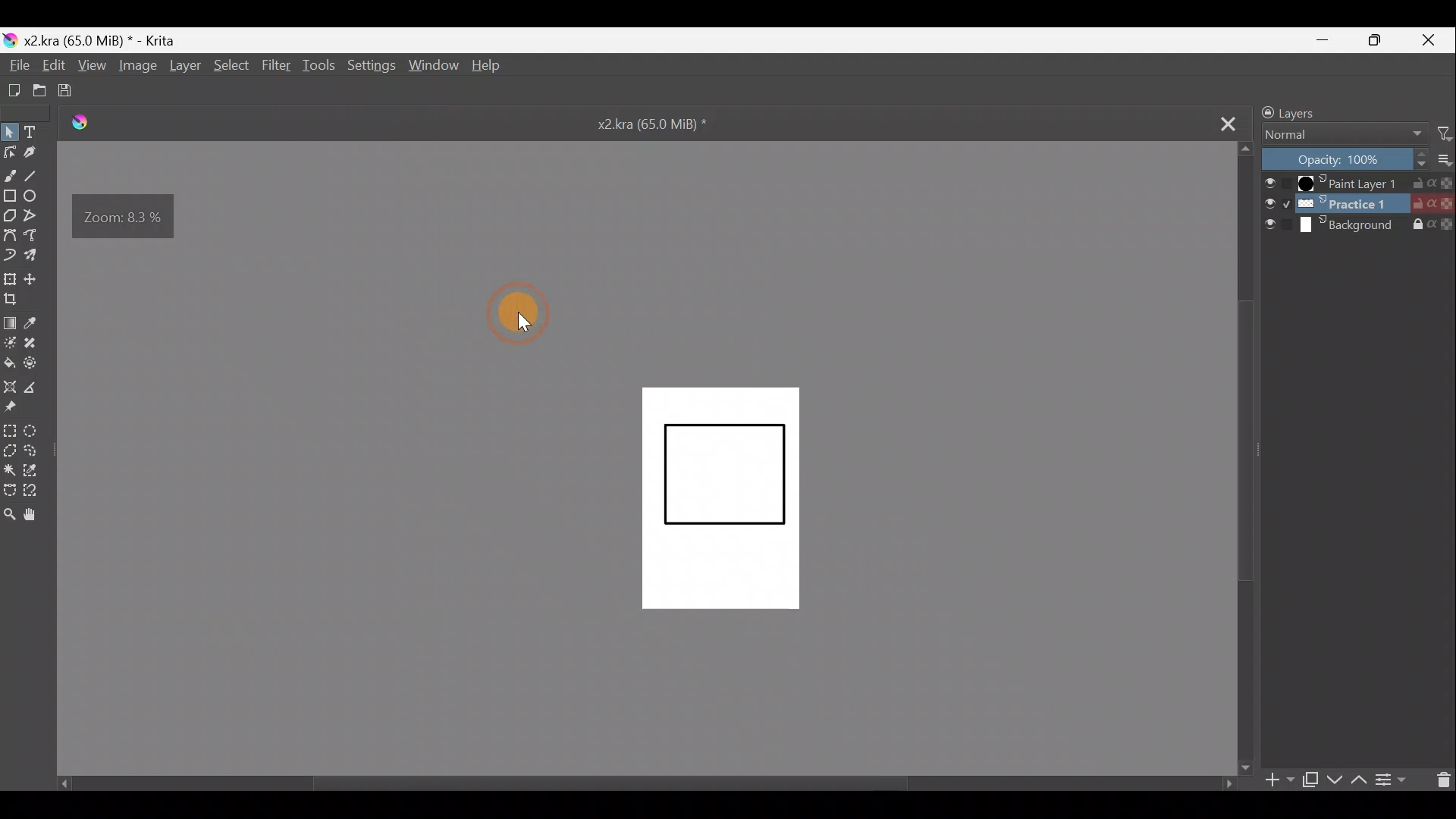 Image resolution: width=1456 pixels, height=819 pixels. I want to click on Polygonal selection tool, so click(13, 450).